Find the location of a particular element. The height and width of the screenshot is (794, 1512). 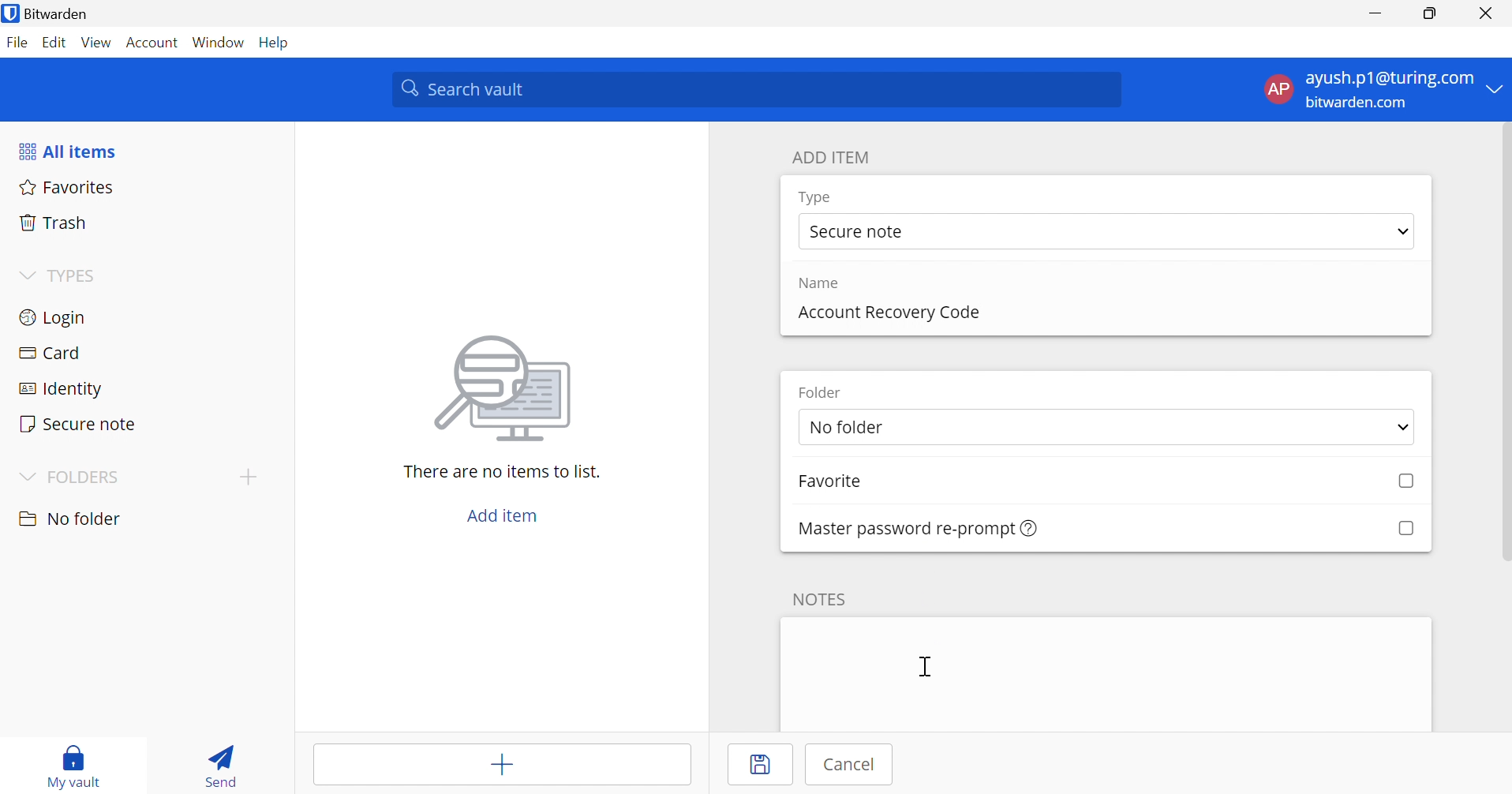

Search vault is located at coordinates (758, 90).